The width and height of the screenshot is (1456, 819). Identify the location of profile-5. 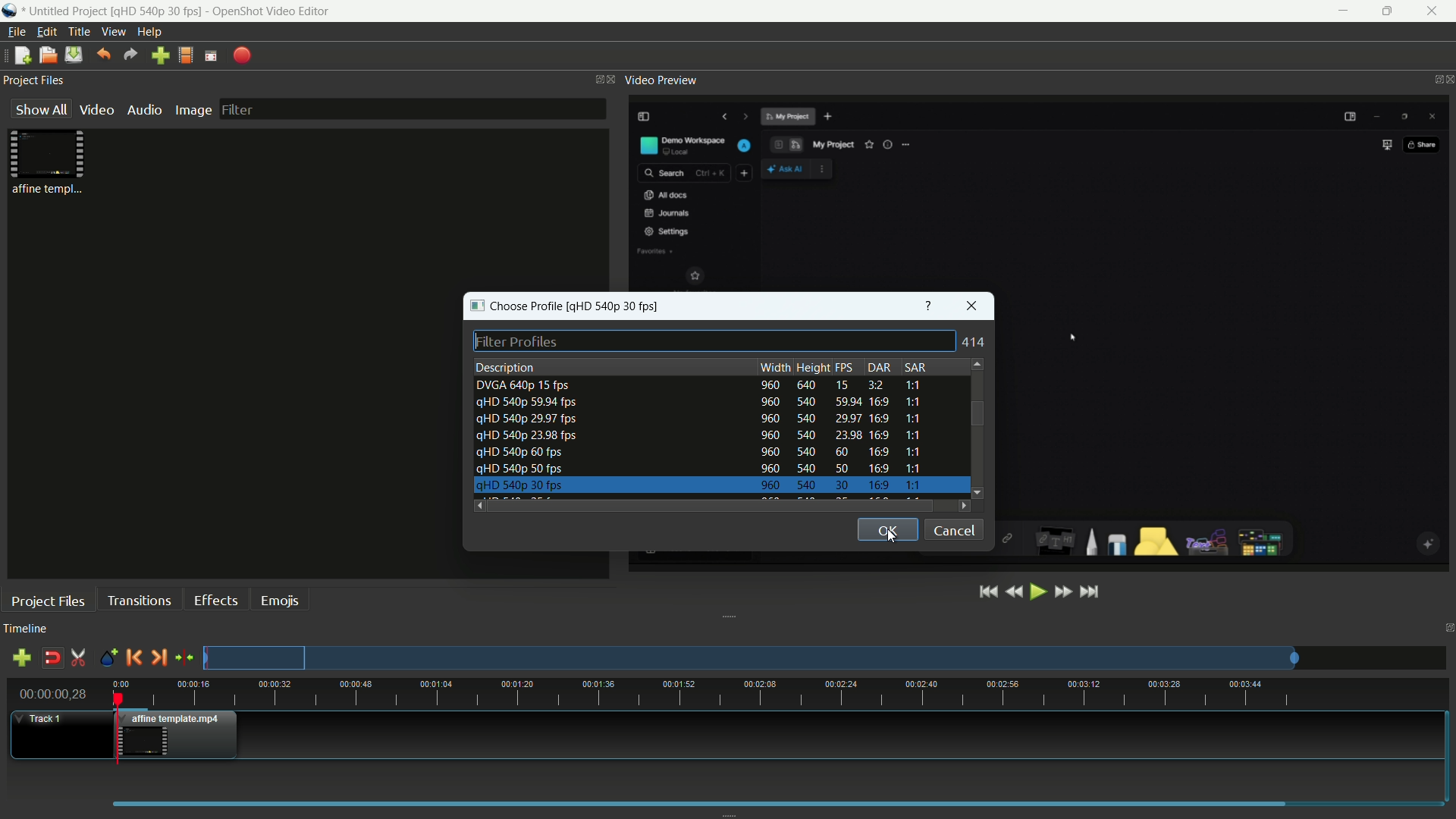
(698, 453).